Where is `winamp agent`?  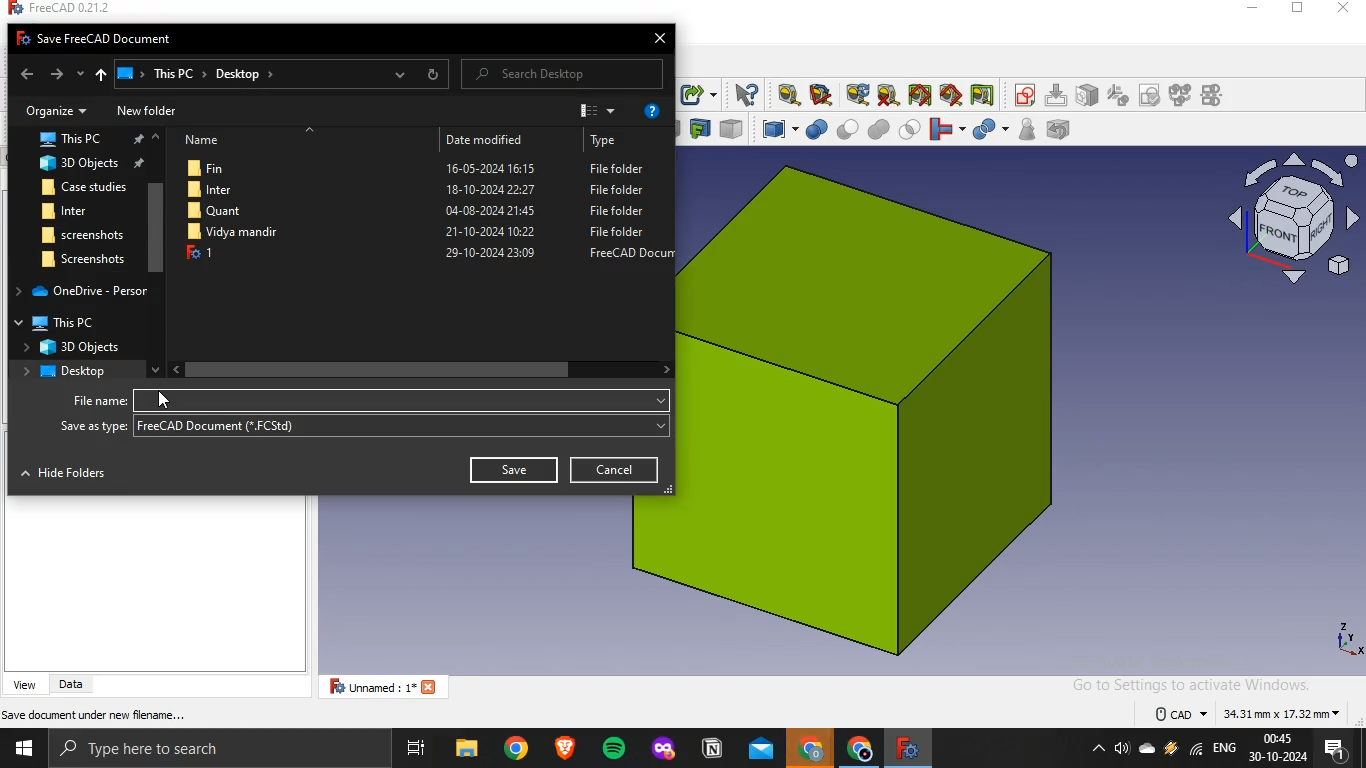 winamp agent is located at coordinates (1174, 750).